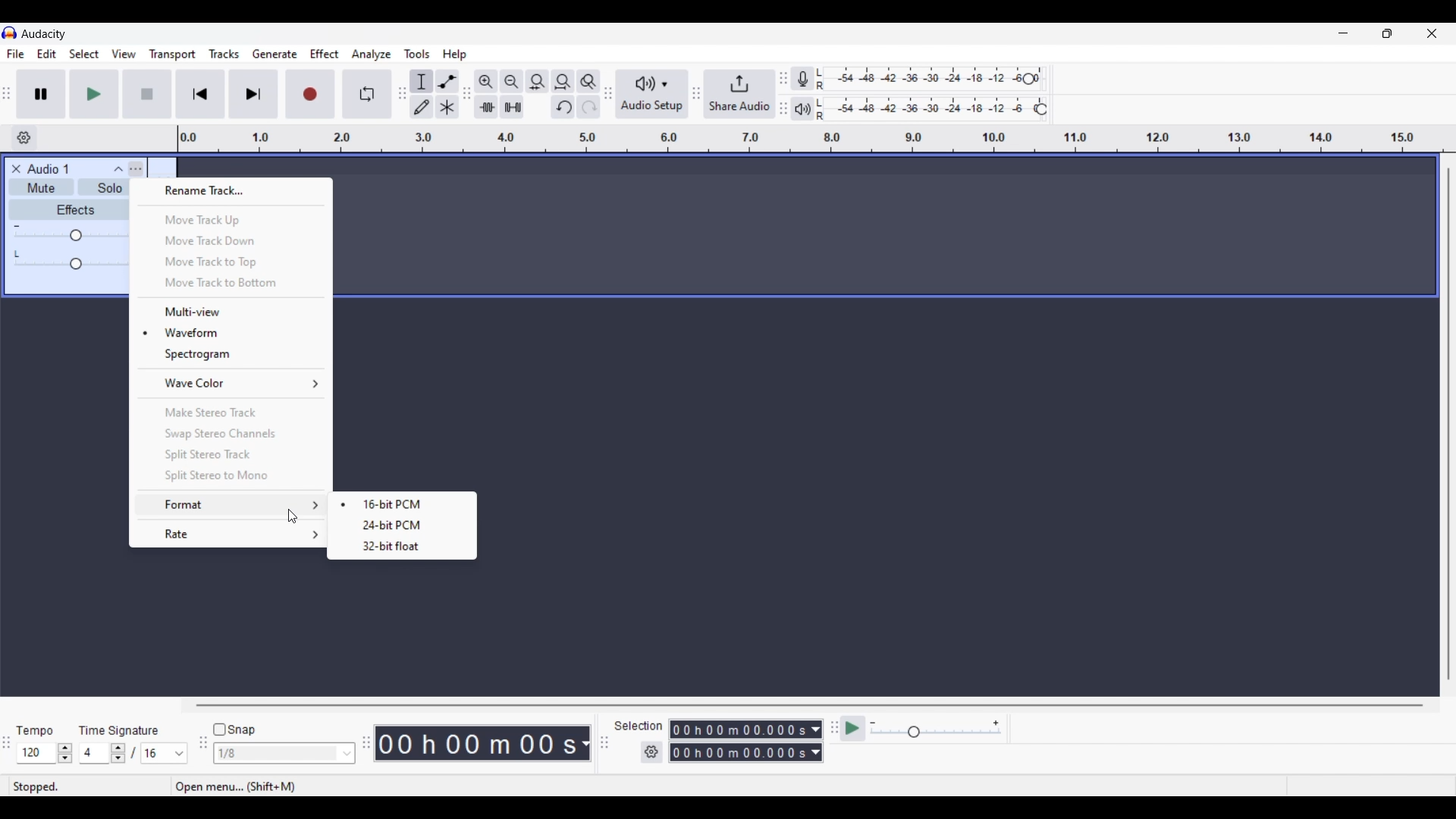 This screenshot has width=1456, height=819. Describe the element at coordinates (485, 81) in the screenshot. I see `Zoom in` at that location.